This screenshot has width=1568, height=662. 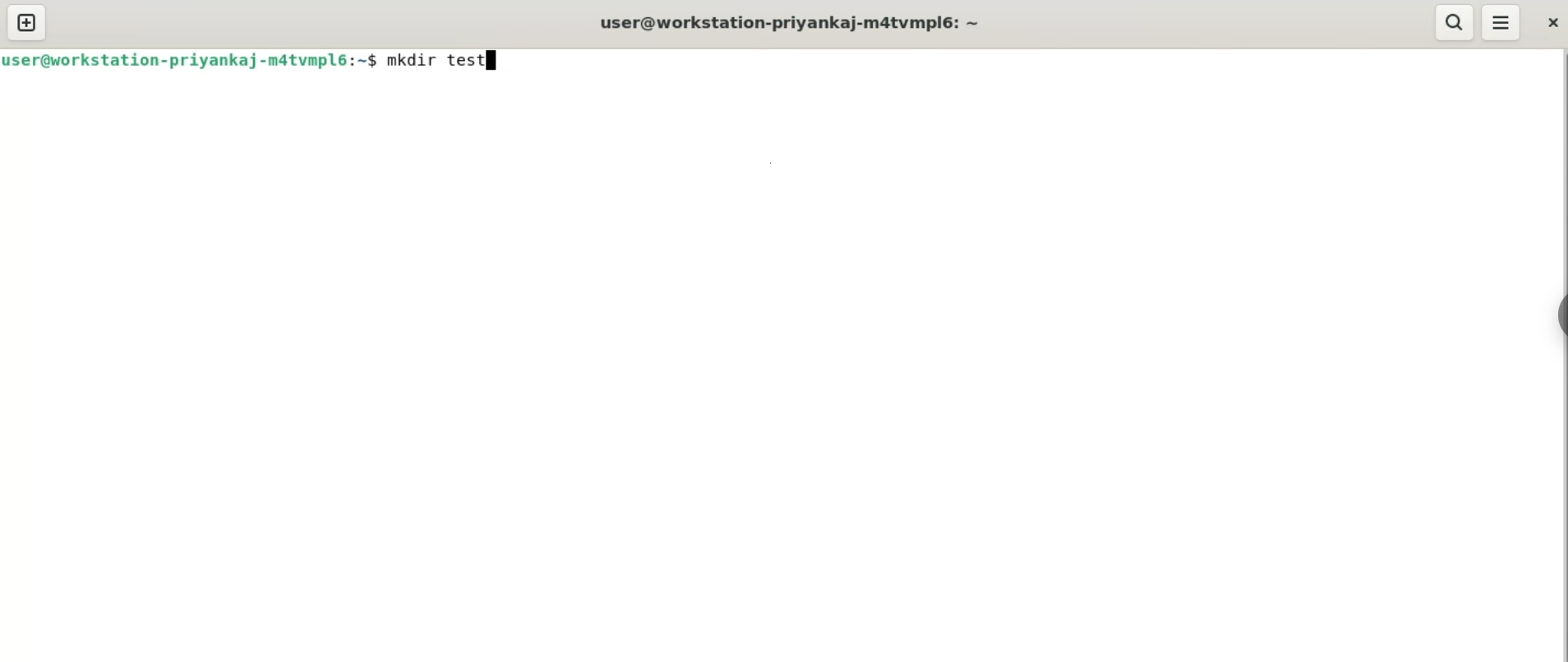 What do you see at coordinates (1502, 22) in the screenshot?
I see `menu` at bounding box center [1502, 22].